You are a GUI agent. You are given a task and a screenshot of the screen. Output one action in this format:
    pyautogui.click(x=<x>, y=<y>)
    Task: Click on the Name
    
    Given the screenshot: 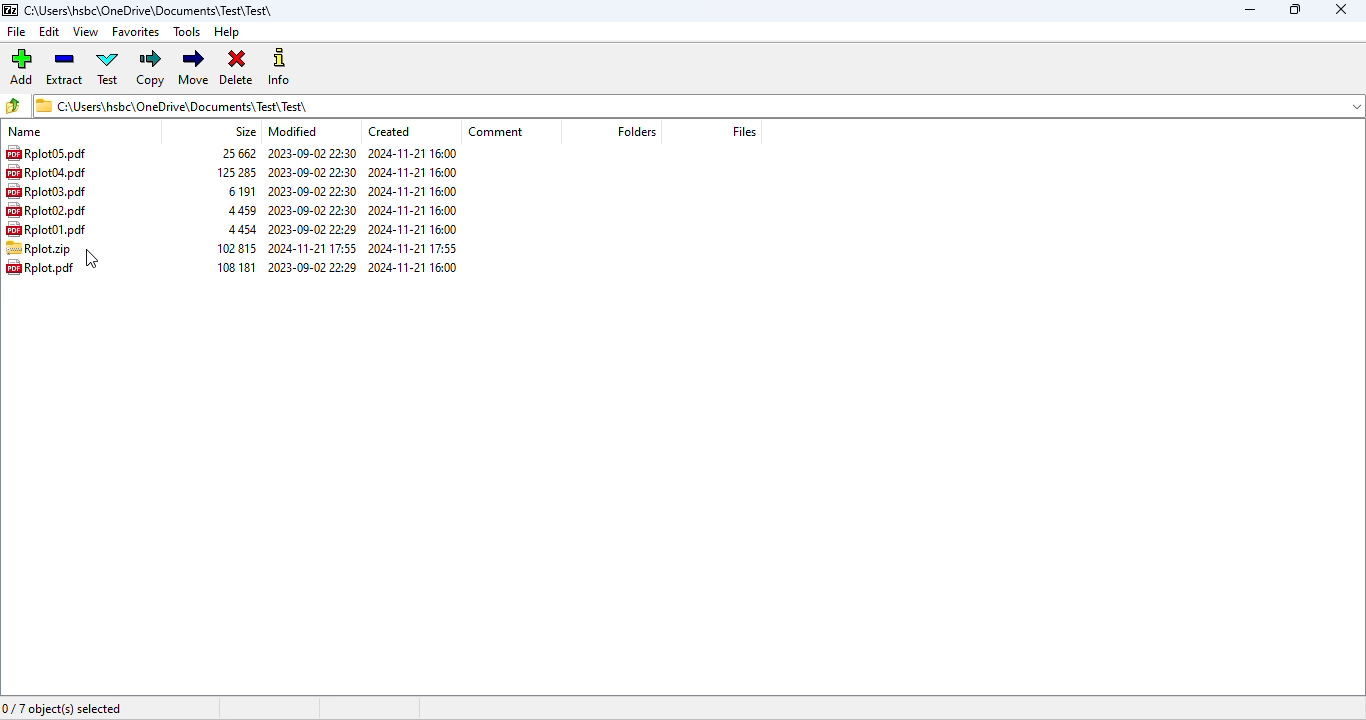 What is the action you would take?
    pyautogui.click(x=35, y=131)
    